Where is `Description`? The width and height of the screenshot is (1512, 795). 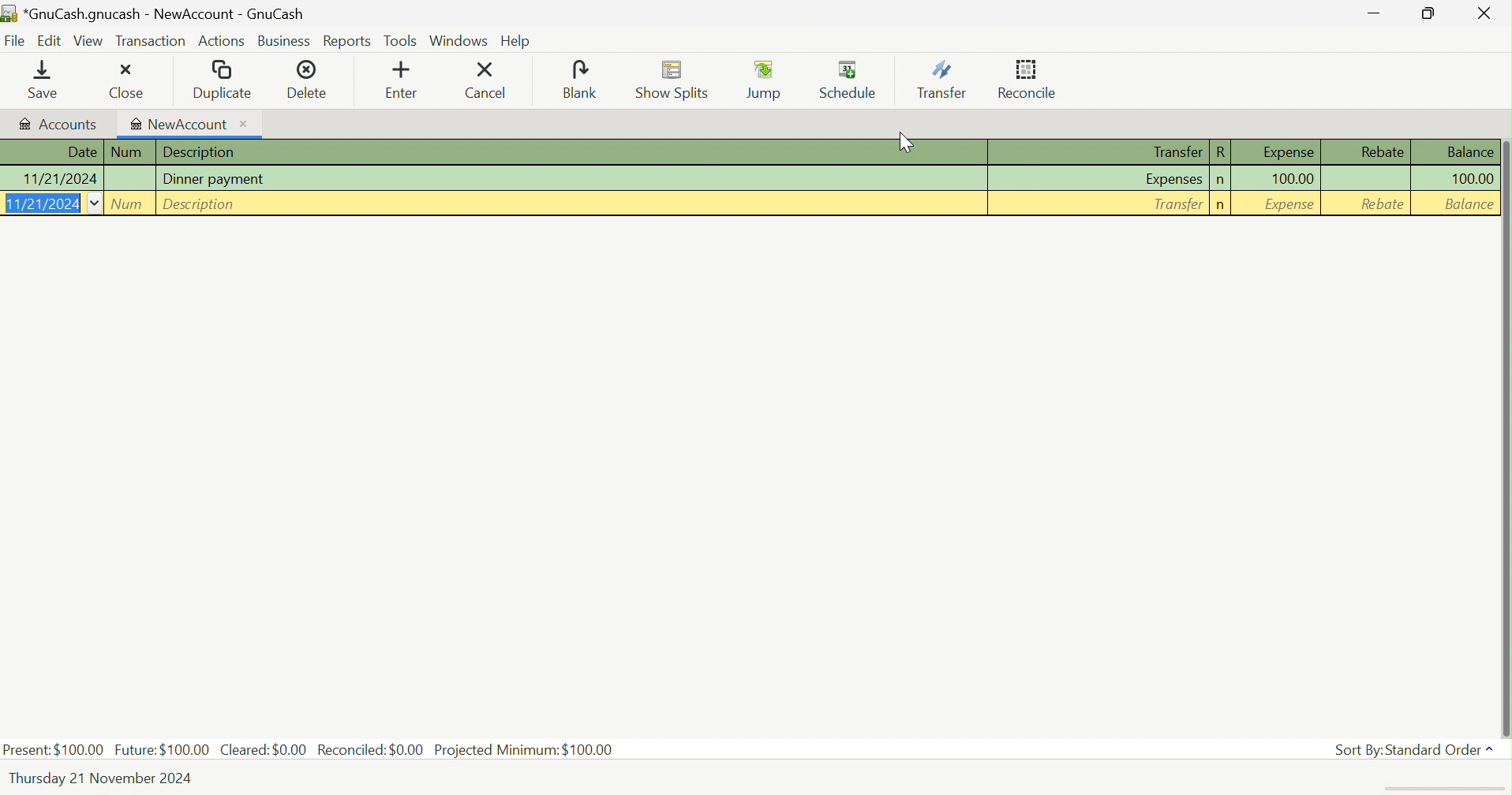
Description is located at coordinates (202, 151).